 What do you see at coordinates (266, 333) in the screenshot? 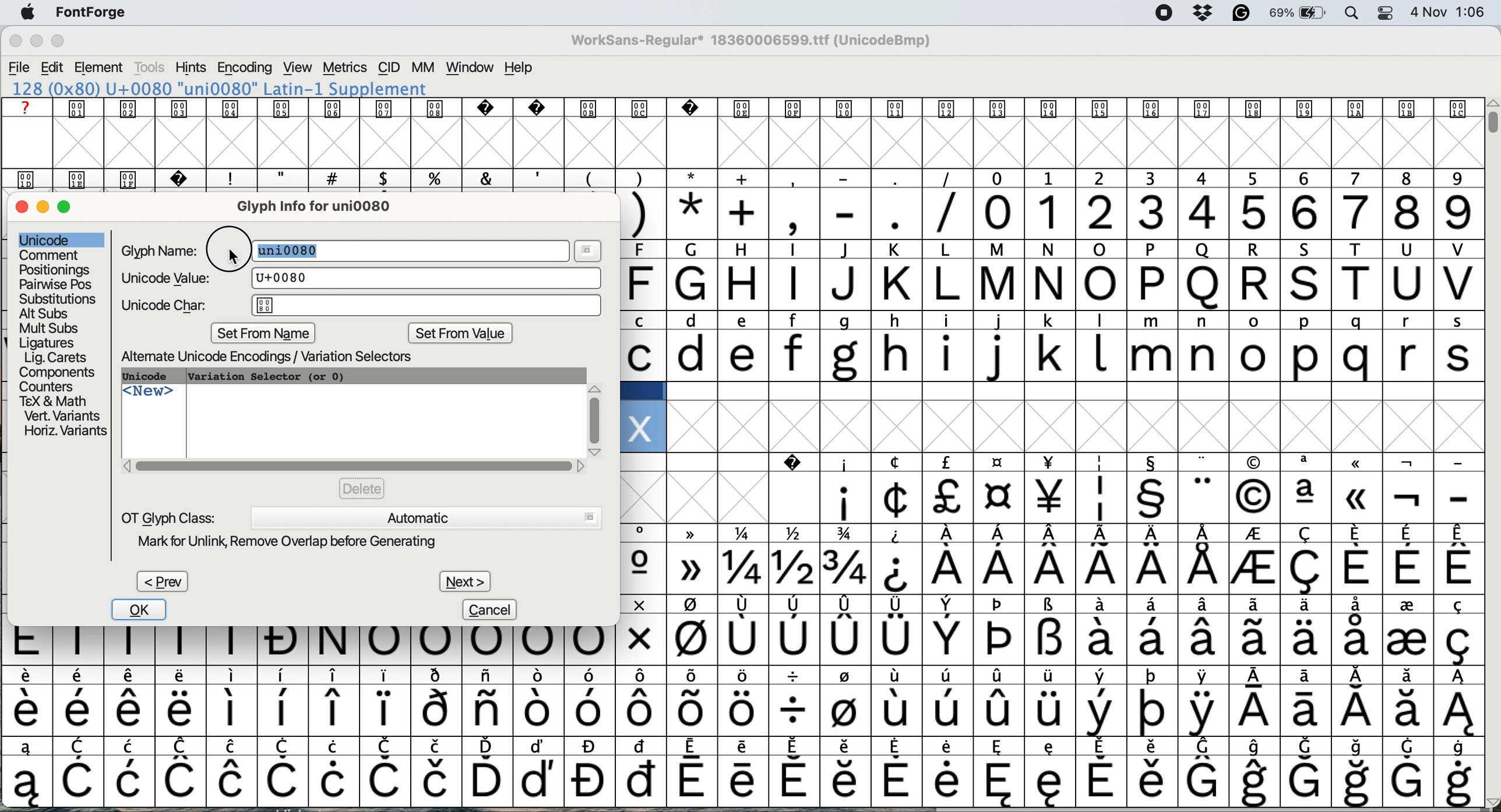
I see `set from name` at bounding box center [266, 333].